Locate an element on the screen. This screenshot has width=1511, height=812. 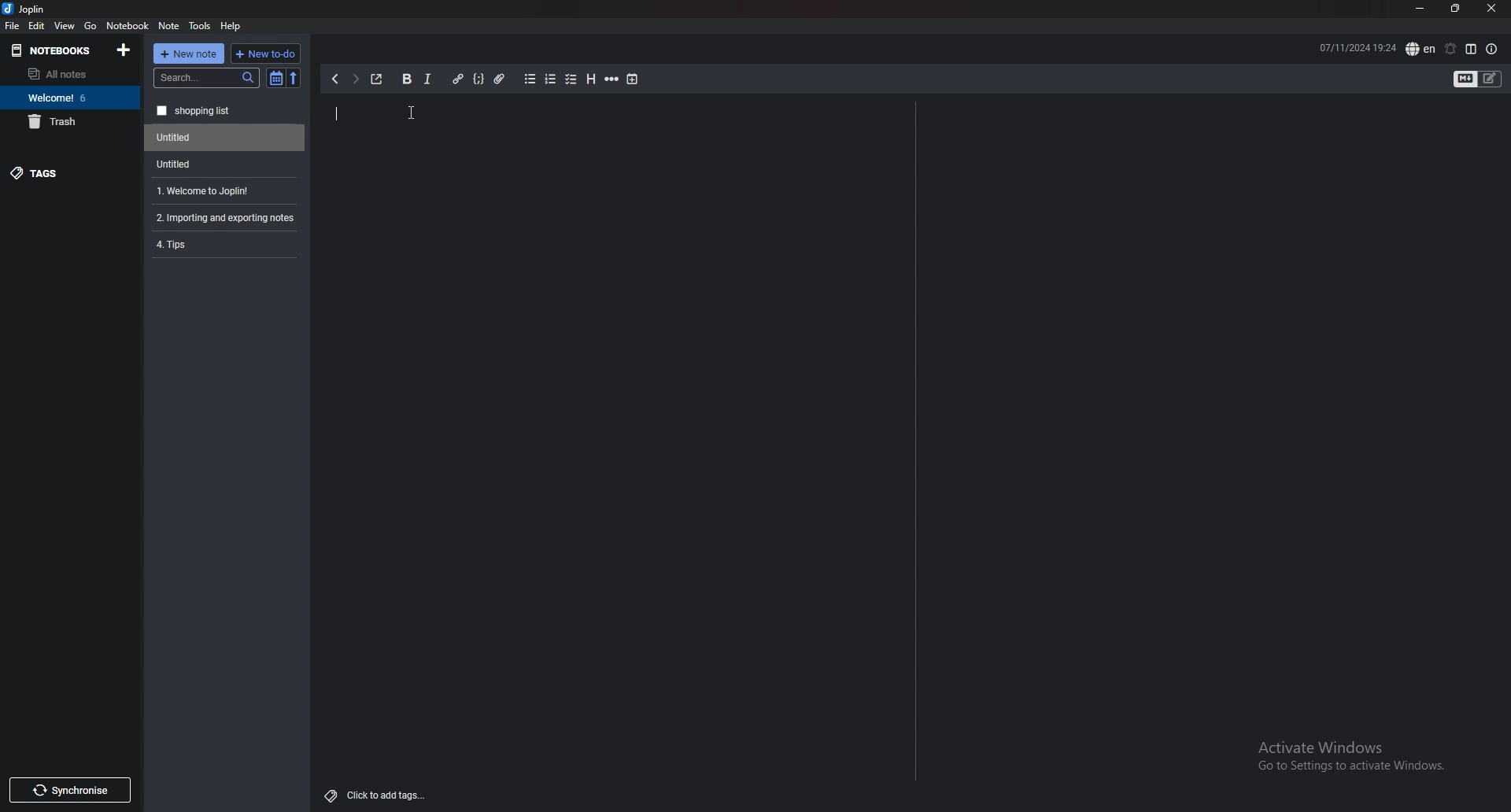
go is located at coordinates (91, 24).